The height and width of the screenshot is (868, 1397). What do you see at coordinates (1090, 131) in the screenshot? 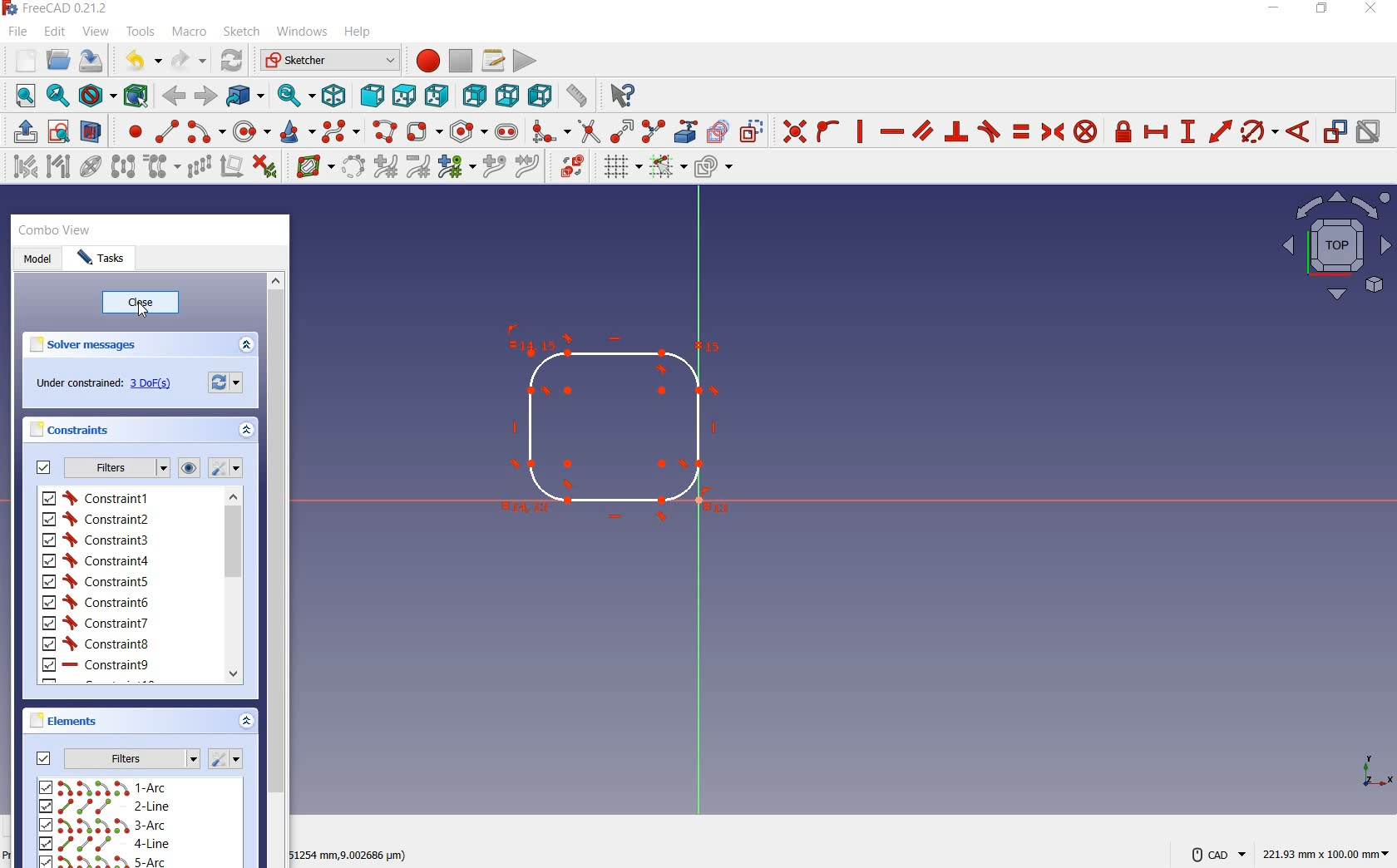
I see `constrain block` at bounding box center [1090, 131].